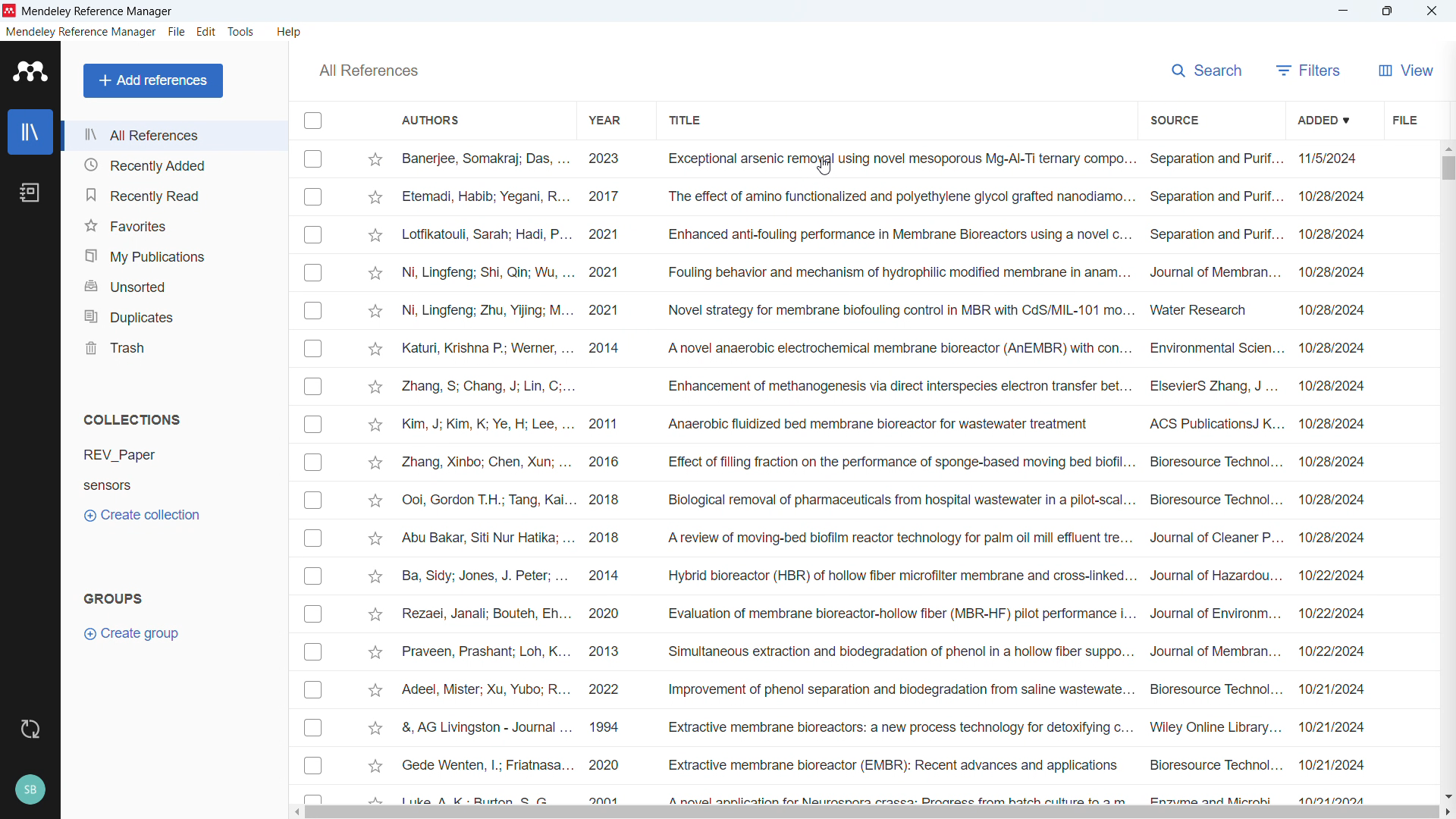  What do you see at coordinates (895, 459) in the screenshot?
I see `effect of filling on the performance of sponge-based moving bed biofil` at bounding box center [895, 459].